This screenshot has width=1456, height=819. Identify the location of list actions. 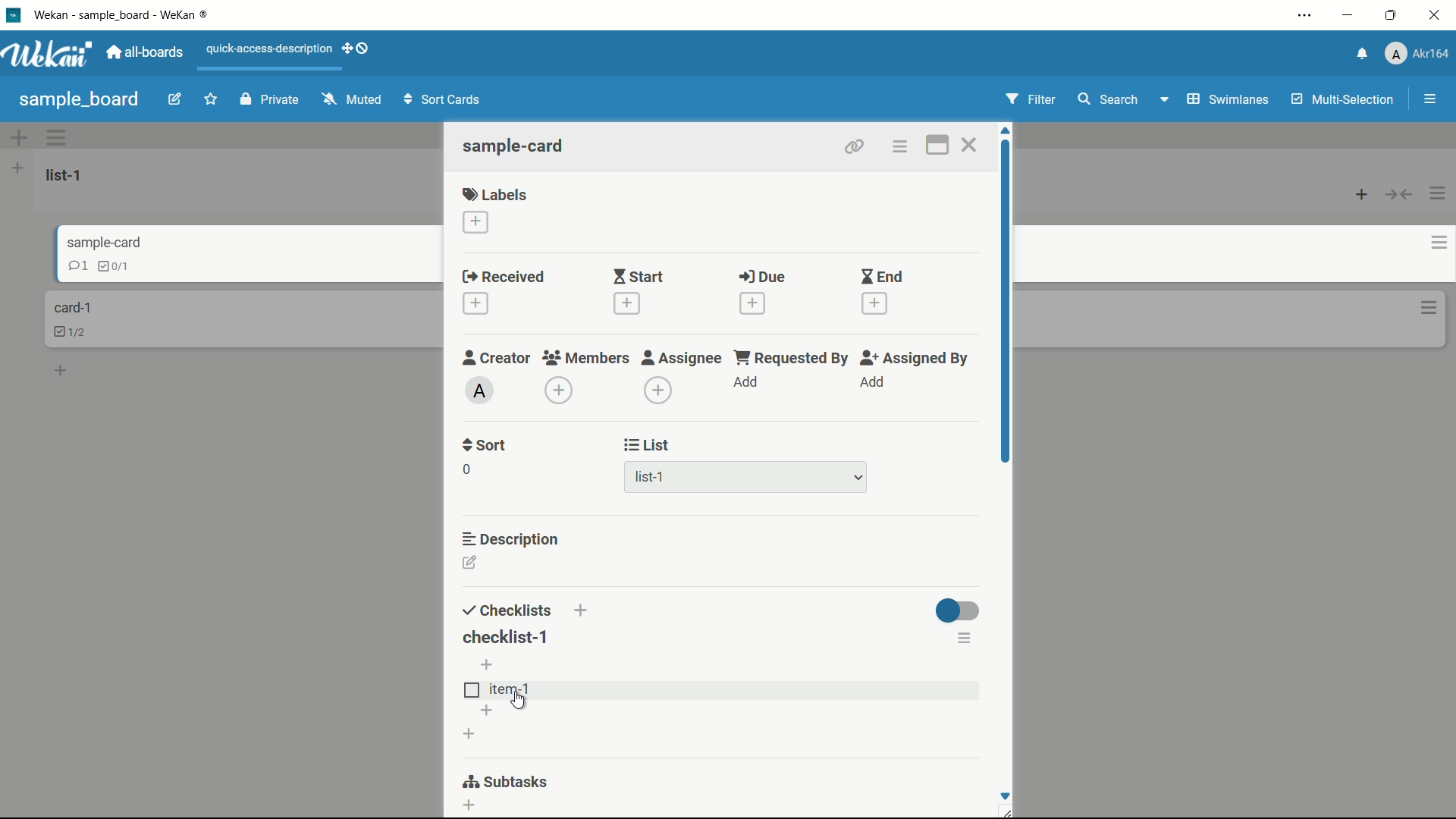
(1439, 193).